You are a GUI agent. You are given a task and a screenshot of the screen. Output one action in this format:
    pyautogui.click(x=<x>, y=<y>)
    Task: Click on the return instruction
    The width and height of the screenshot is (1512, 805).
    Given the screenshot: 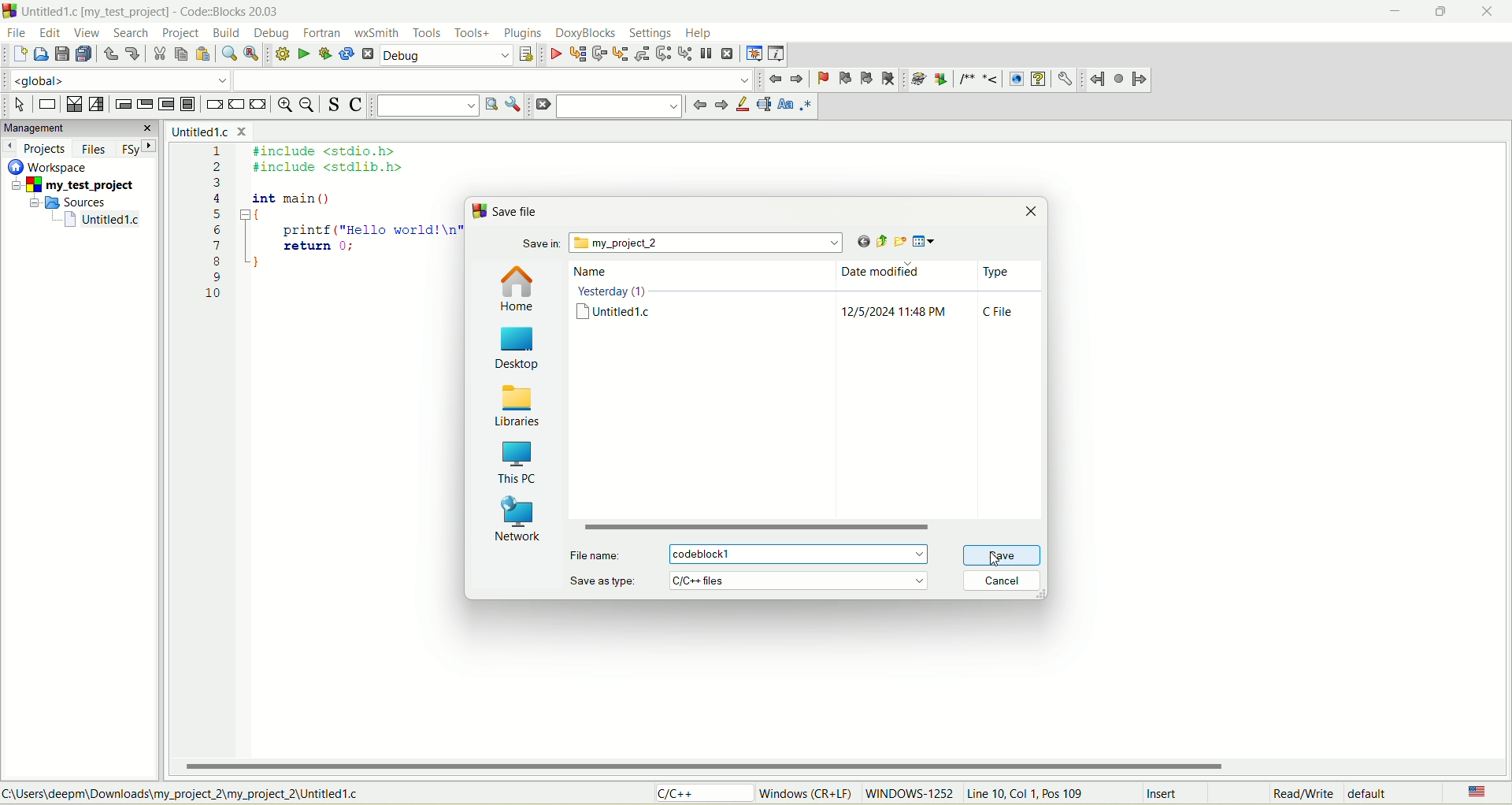 What is the action you would take?
    pyautogui.click(x=259, y=105)
    